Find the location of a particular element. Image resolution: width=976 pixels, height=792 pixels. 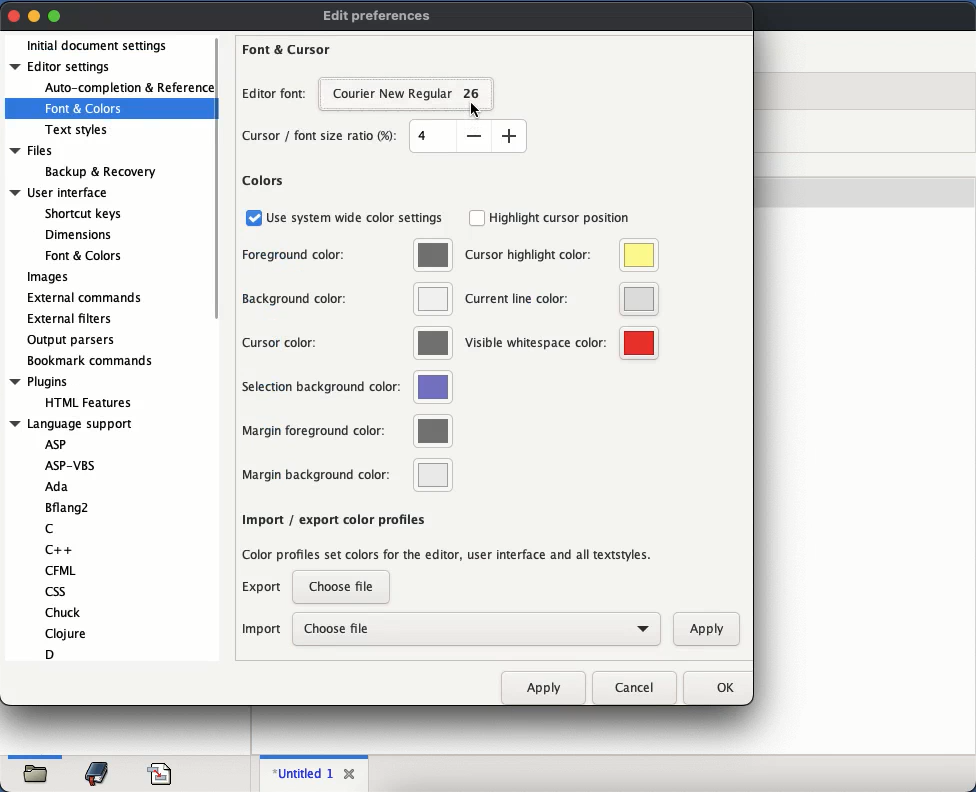

cursor highlight color is located at coordinates (533, 254).